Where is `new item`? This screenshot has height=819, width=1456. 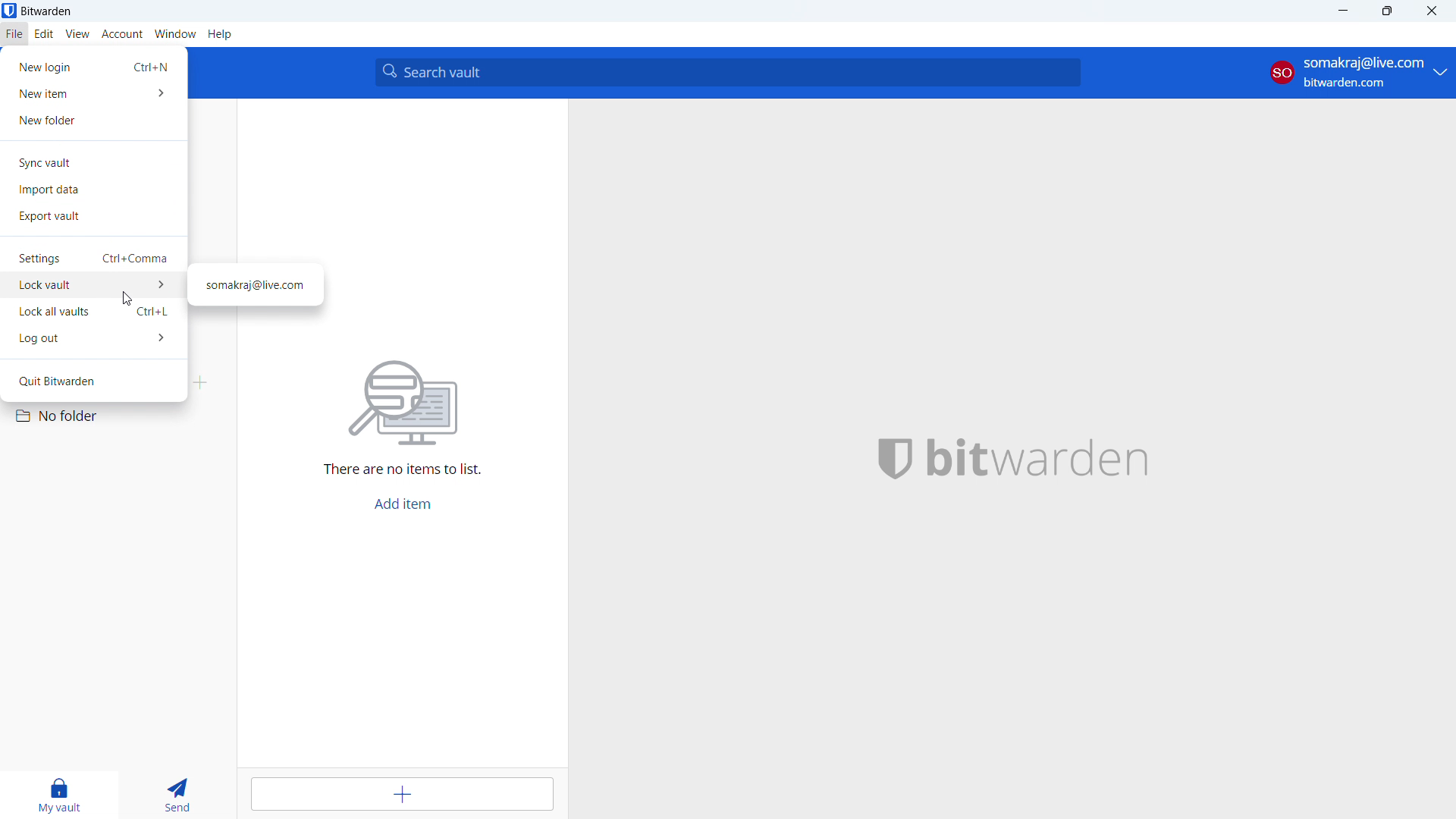
new item is located at coordinates (94, 94).